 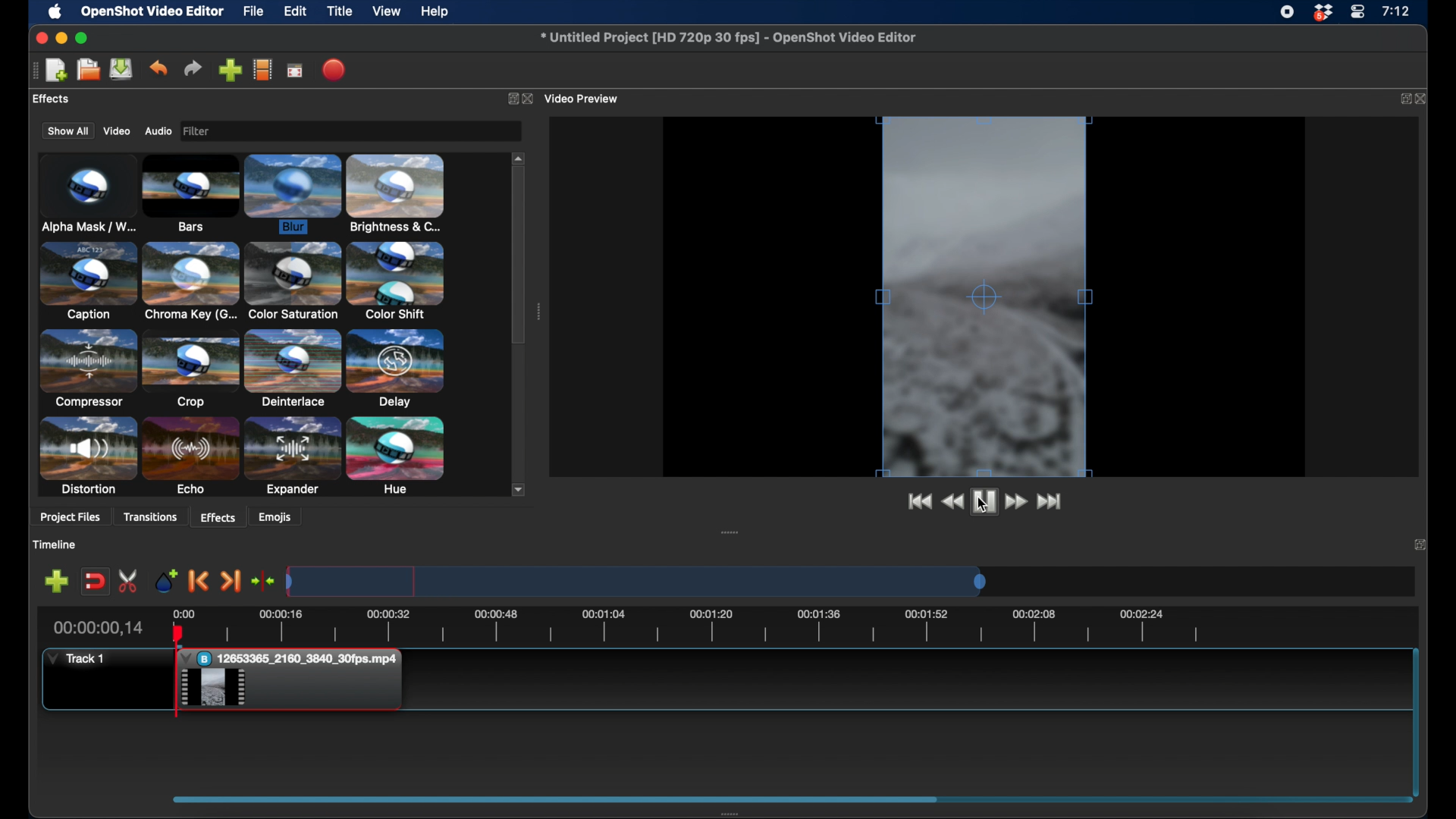 What do you see at coordinates (71, 519) in the screenshot?
I see `project files` at bounding box center [71, 519].